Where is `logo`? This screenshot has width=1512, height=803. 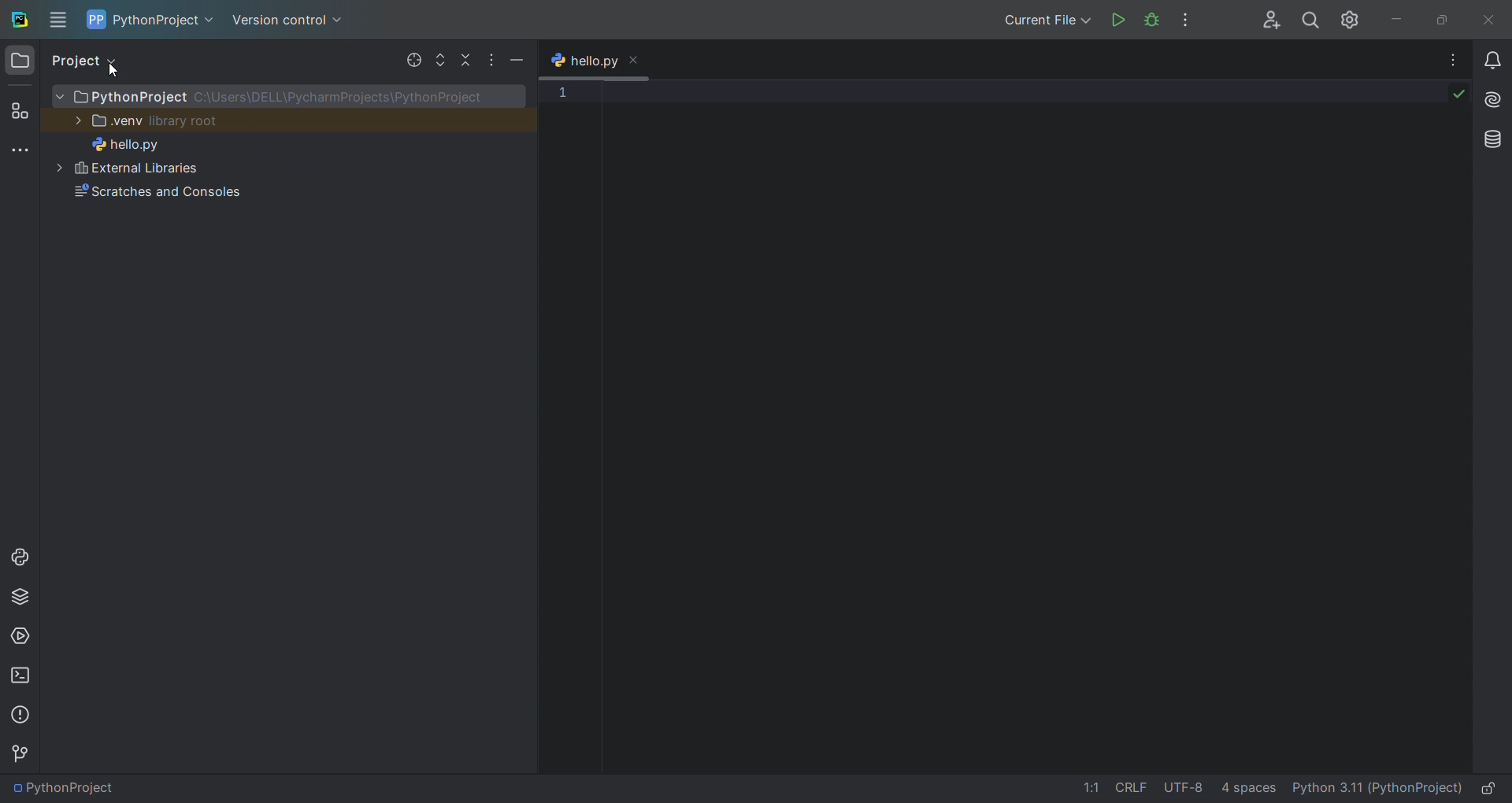
logo is located at coordinates (20, 19).